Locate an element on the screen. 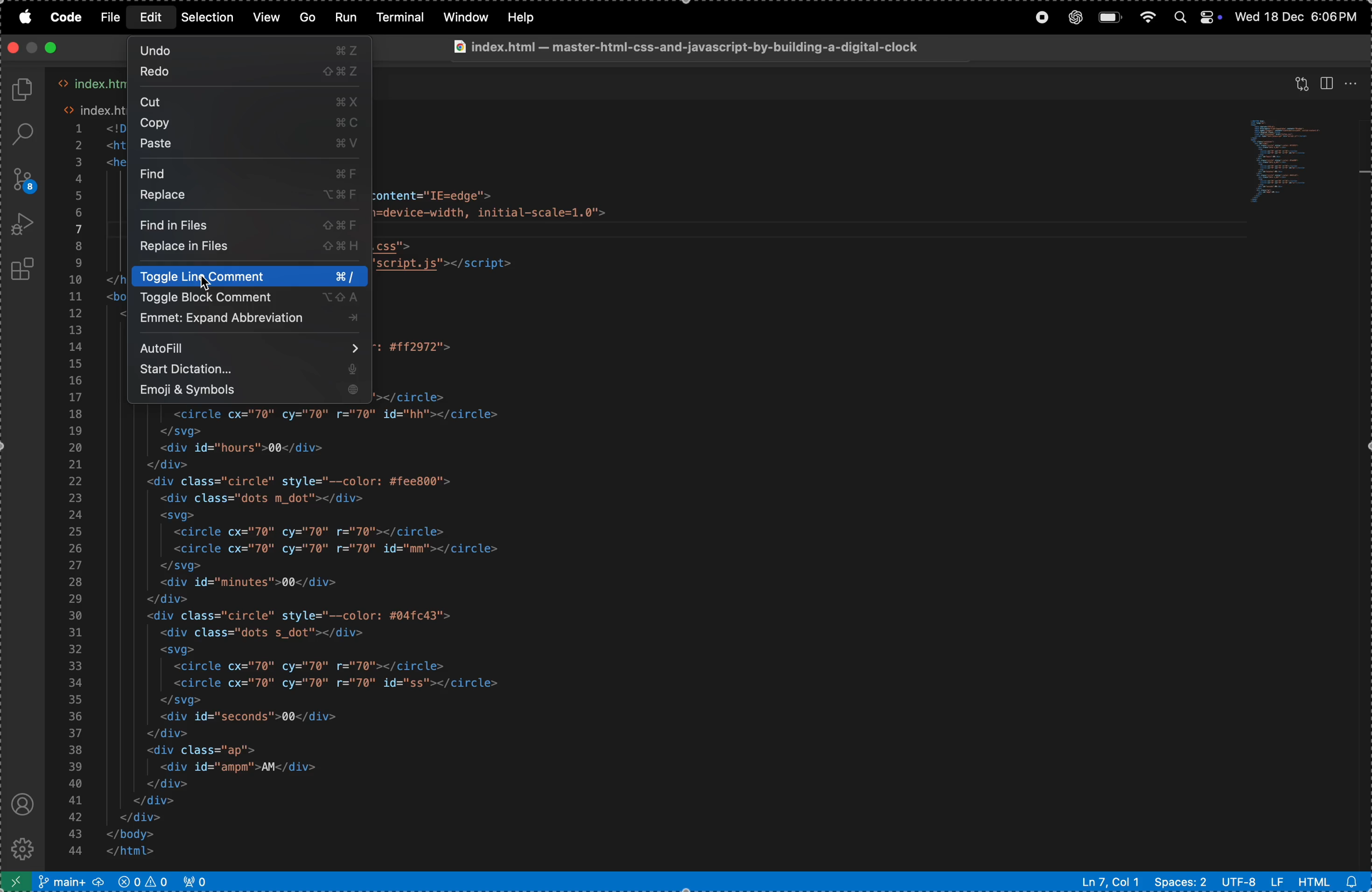 This screenshot has height=892, width=1372. selection is located at coordinates (208, 16).